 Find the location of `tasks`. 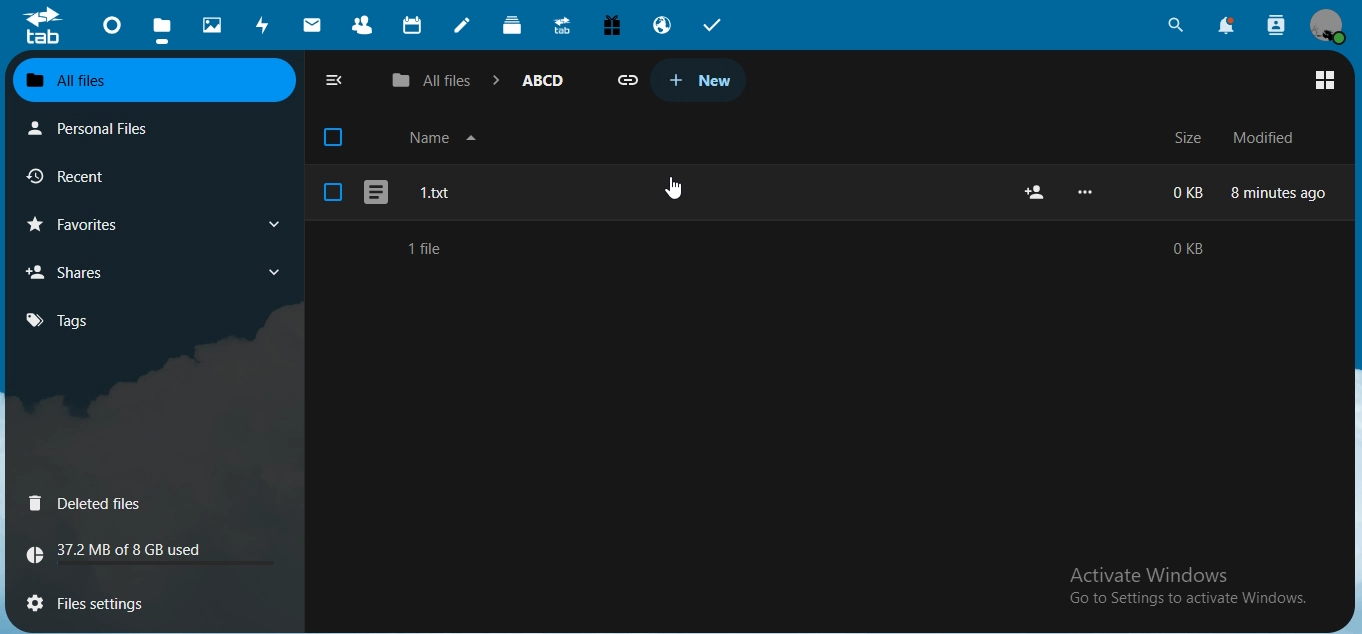

tasks is located at coordinates (713, 24).